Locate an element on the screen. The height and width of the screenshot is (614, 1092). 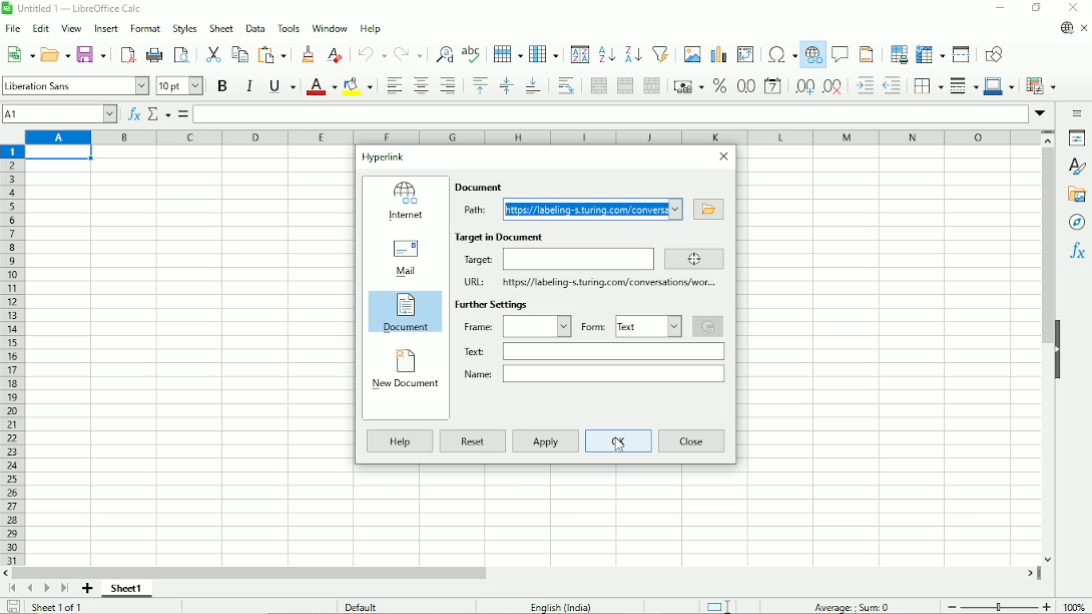
Further settings is located at coordinates (490, 305).